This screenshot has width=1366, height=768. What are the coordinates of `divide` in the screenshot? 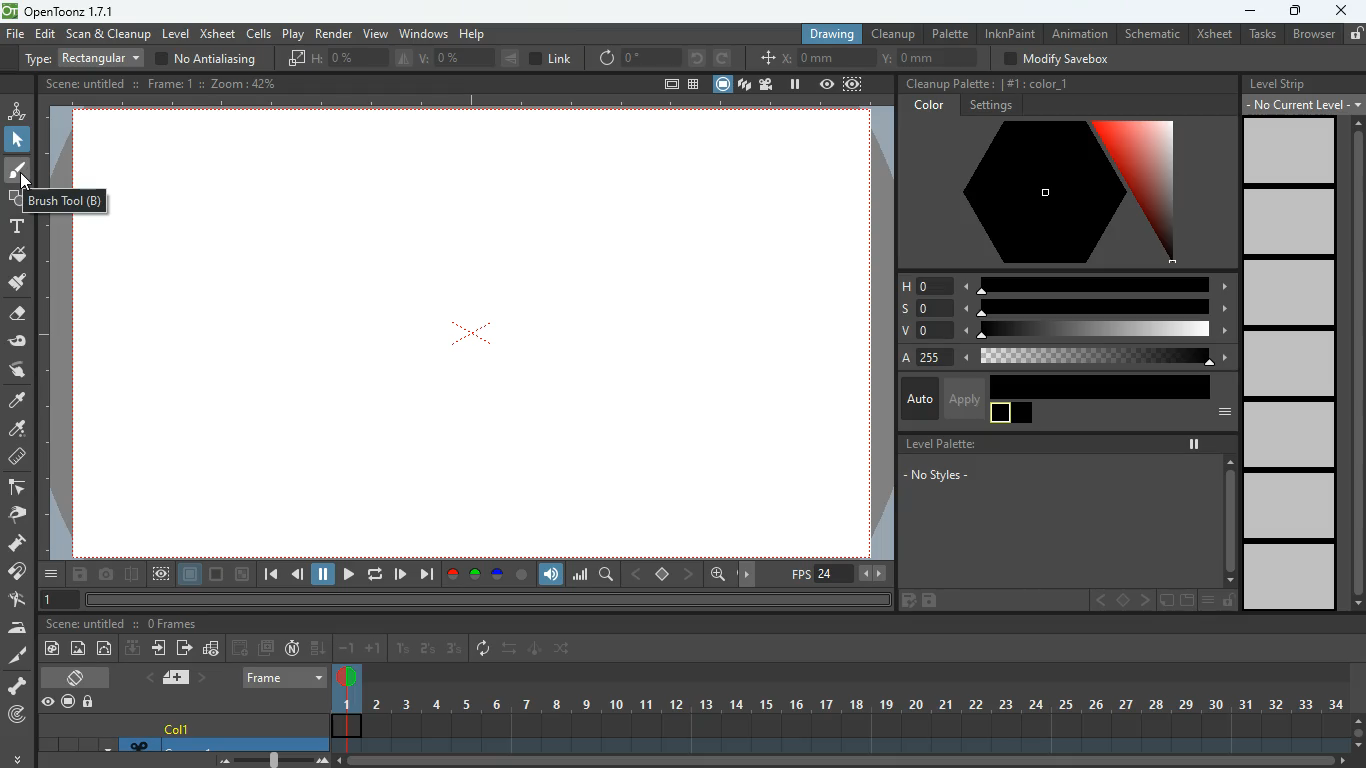 It's located at (133, 577).